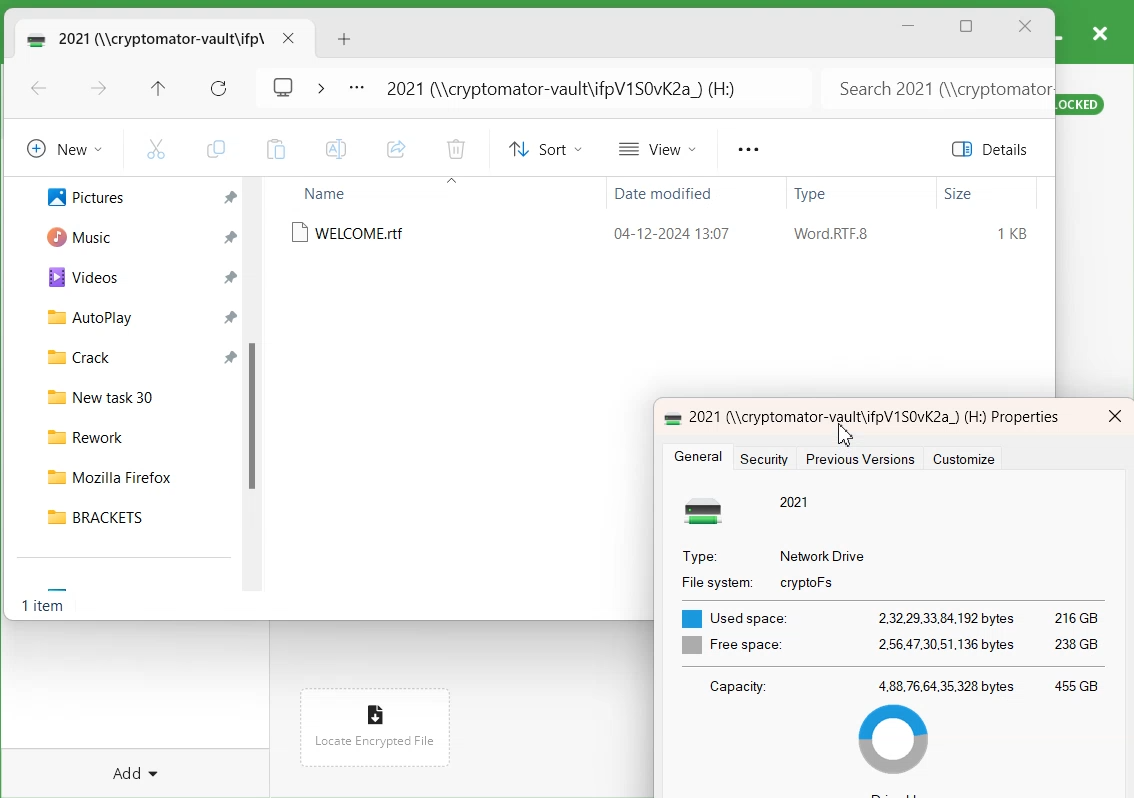  Describe the element at coordinates (284, 85) in the screenshot. I see `Logo` at that location.